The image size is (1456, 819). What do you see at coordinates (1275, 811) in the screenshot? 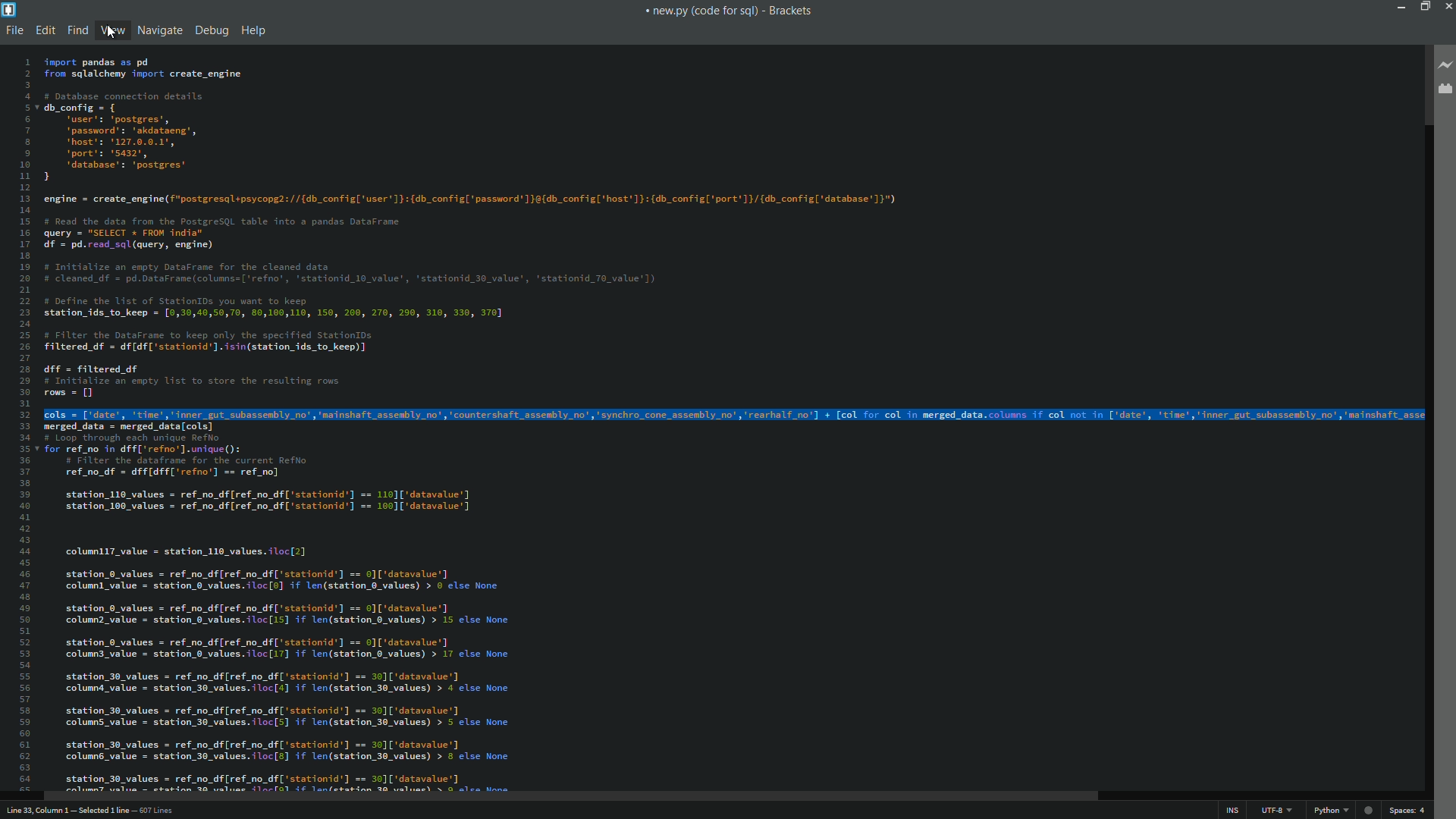
I see `file encoding` at bounding box center [1275, 811].